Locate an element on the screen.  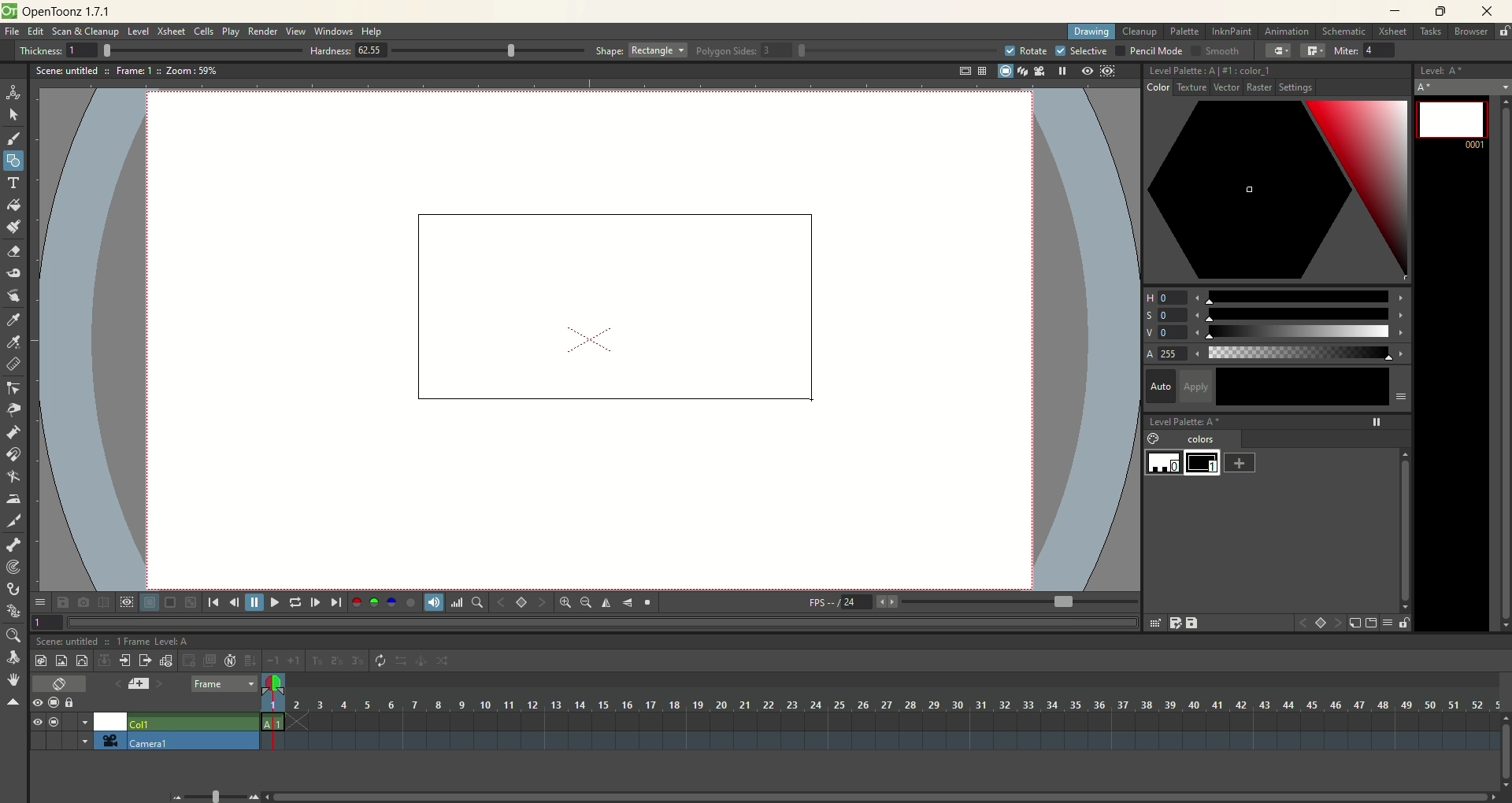
color 0 and 1 is located at coordinates (1185, 464).